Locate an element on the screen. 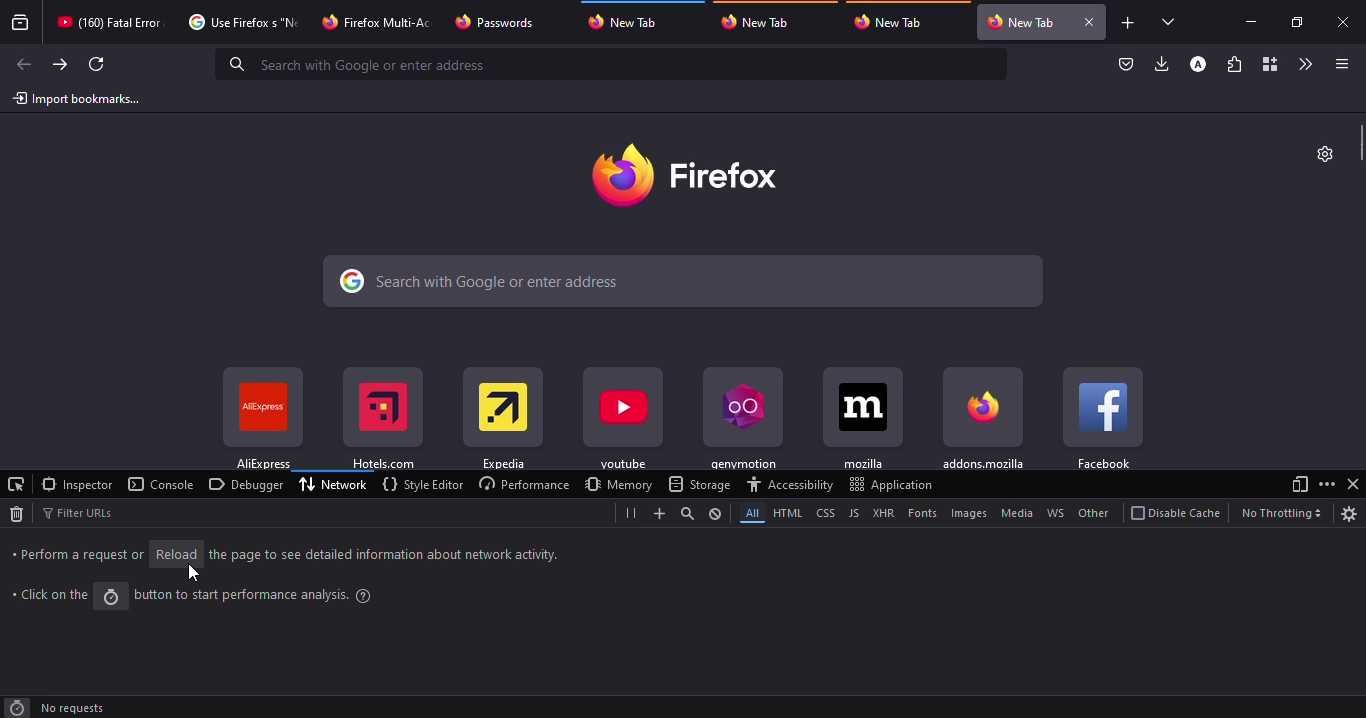  info is located at coordinates (51, 593).